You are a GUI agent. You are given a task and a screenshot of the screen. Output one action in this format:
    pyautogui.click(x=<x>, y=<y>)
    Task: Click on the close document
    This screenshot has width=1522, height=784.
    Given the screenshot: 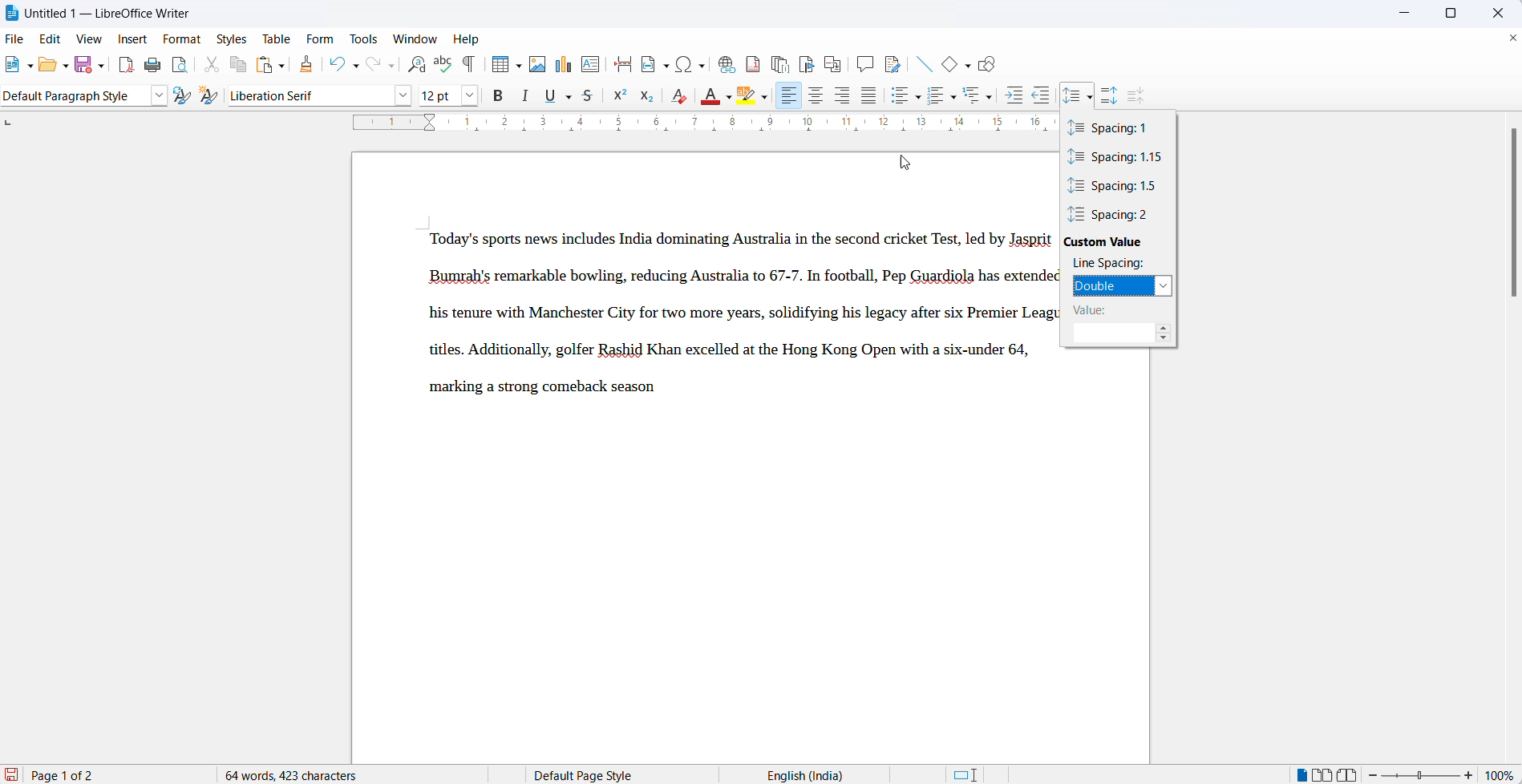 What is the action you would take?
    pyautogui.click(x=1512, y=38)
    